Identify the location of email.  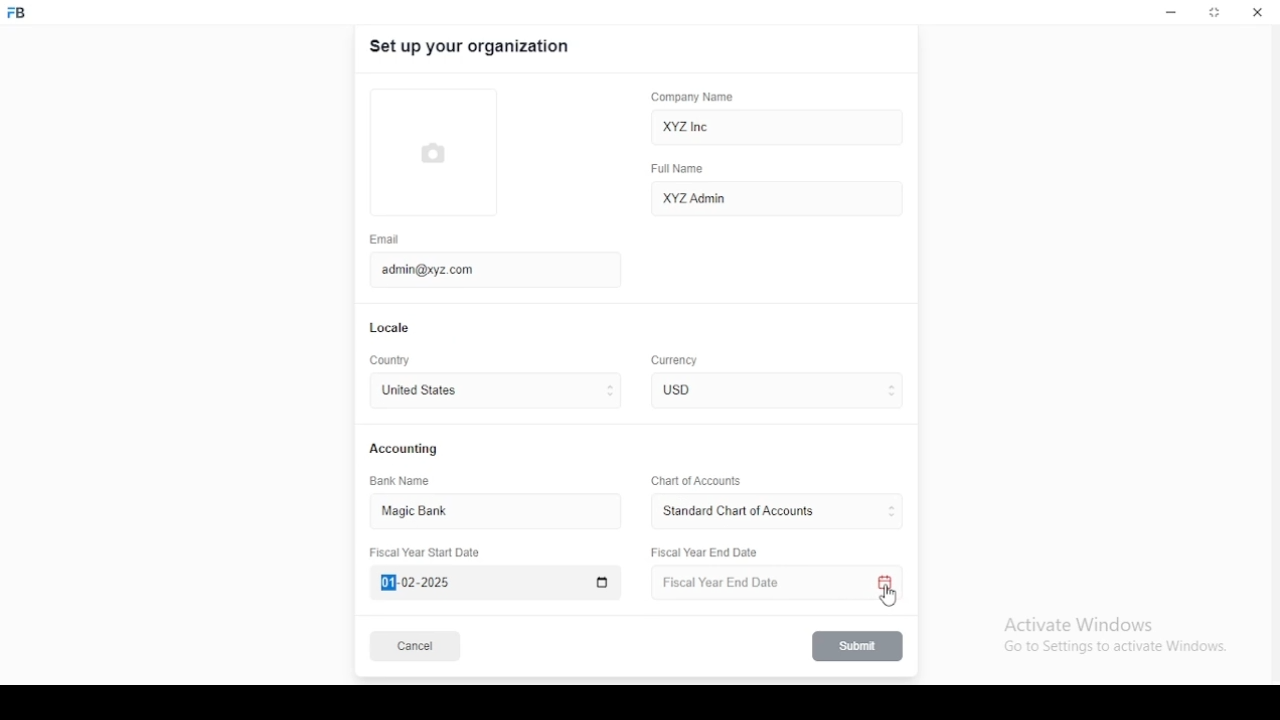
(385, 239).